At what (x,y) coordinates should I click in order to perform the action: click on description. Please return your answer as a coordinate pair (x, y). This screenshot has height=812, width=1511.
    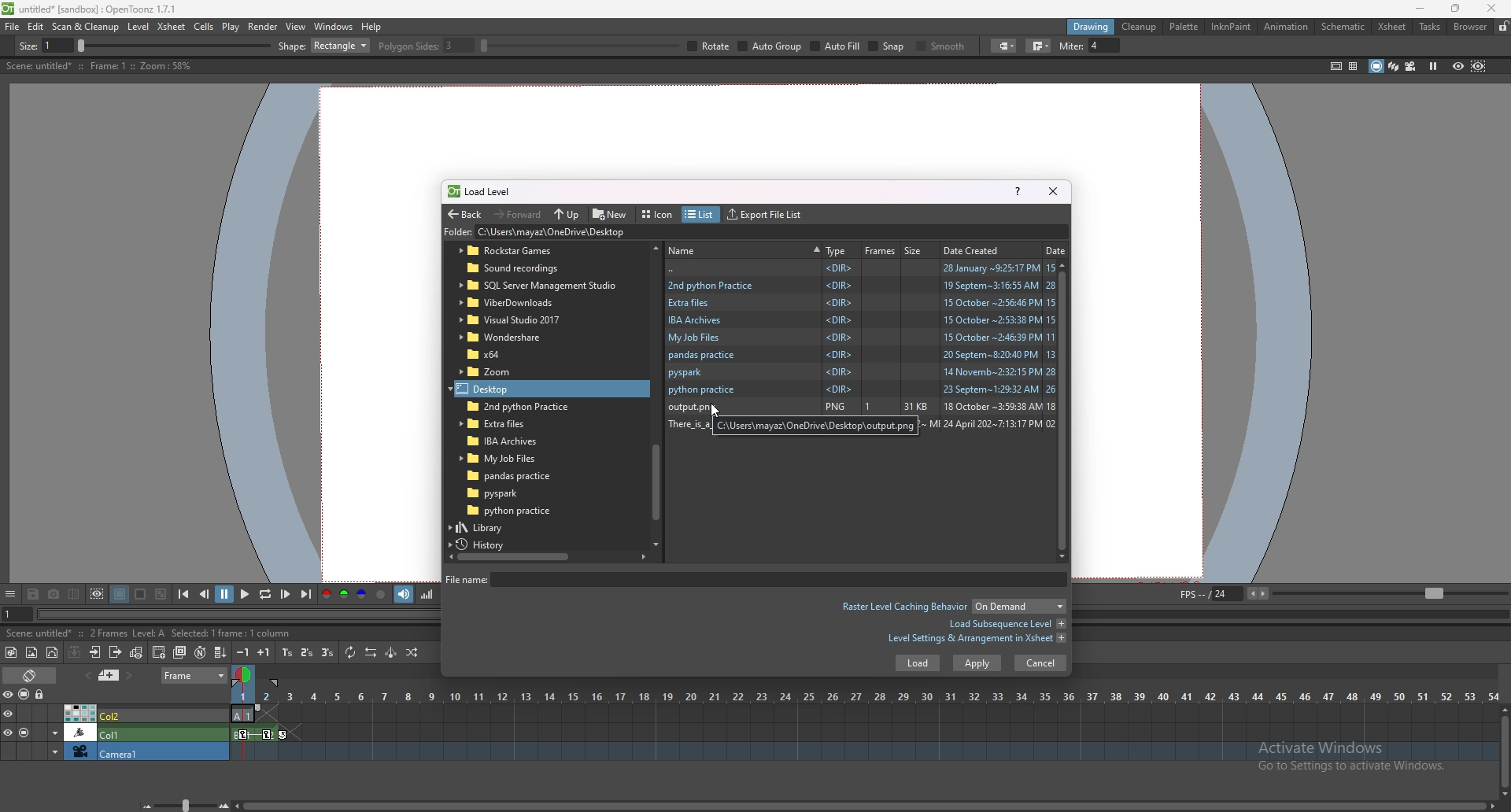
    Looking at the image, I should click on (98, 66).